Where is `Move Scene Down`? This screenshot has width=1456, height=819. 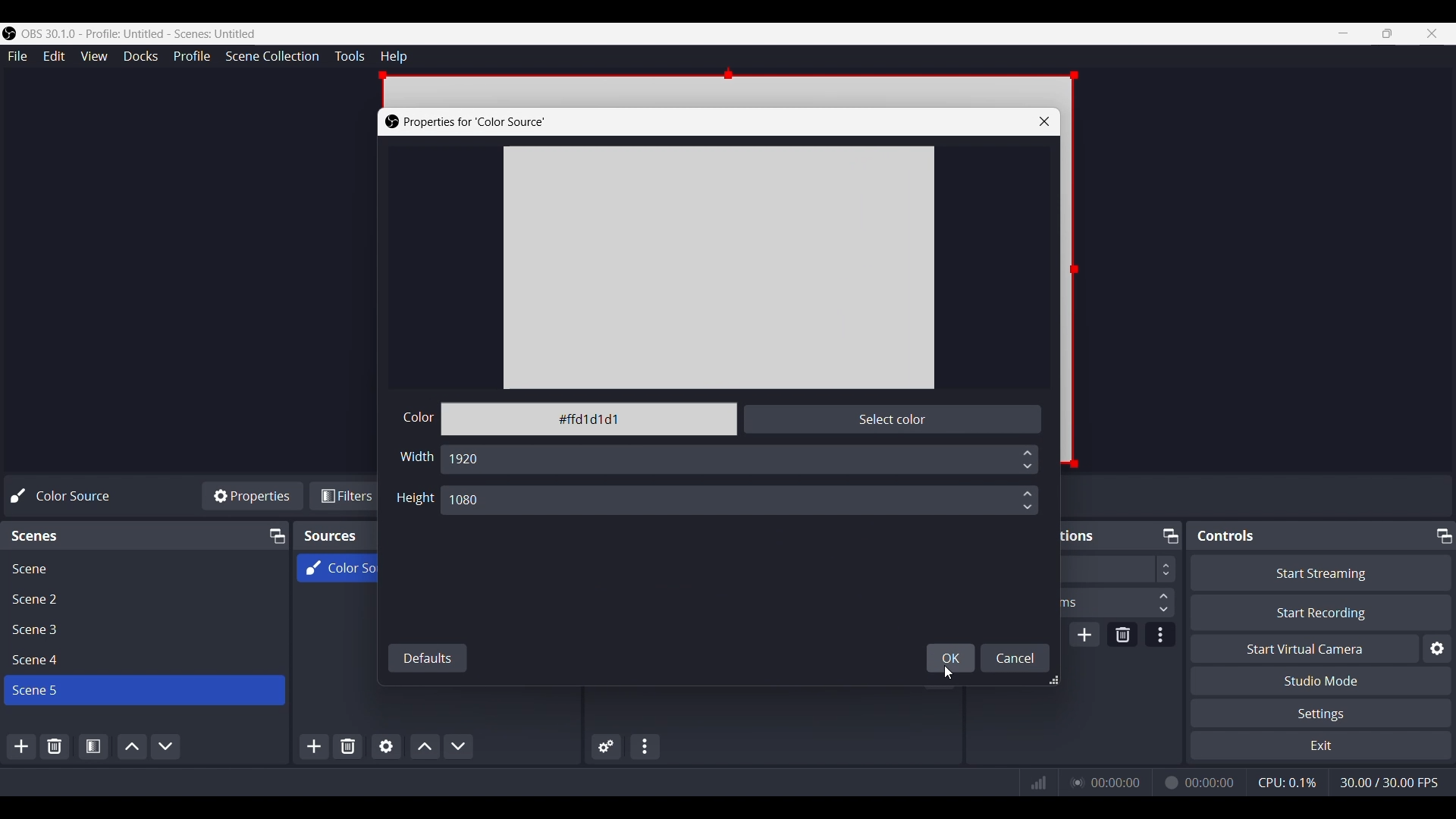
Move Scene Down is located at coordinates (165, 746).